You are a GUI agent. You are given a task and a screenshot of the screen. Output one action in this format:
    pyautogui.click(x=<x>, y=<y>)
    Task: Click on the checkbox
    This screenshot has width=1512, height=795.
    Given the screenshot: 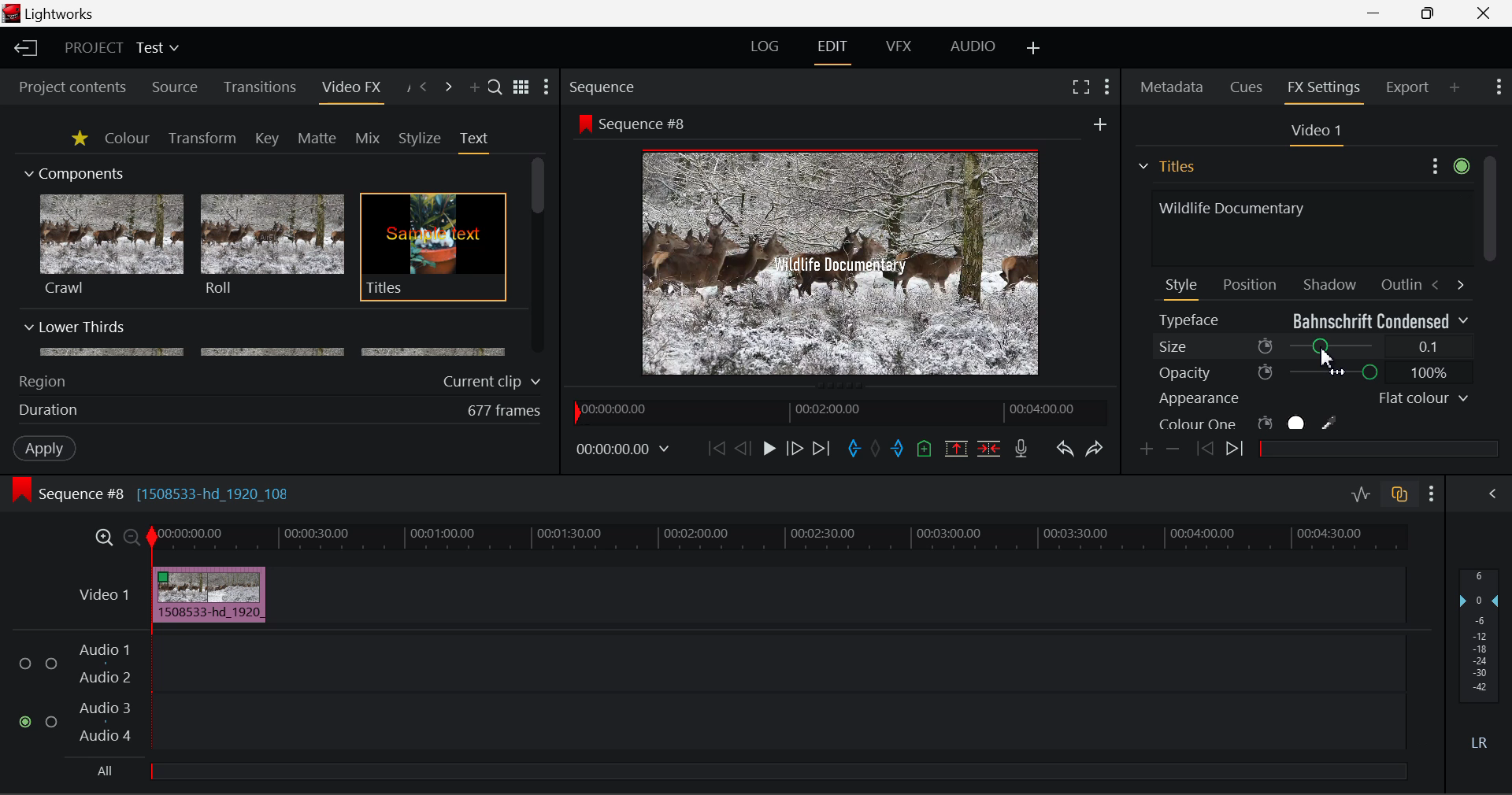 What is the action you would take?
    pyautogui.click(x=54, y=723)
    